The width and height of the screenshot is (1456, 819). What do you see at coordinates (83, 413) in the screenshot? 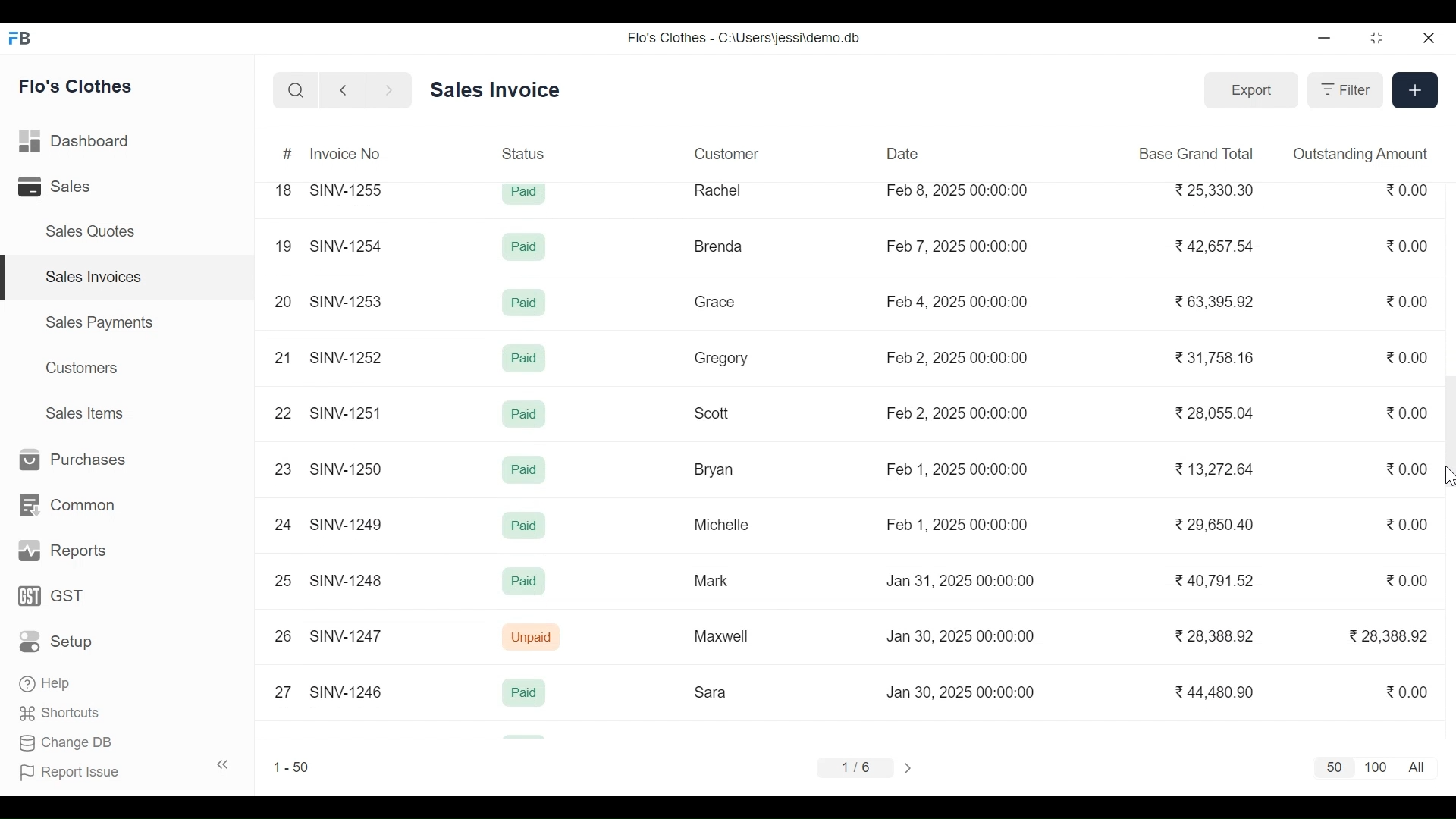
I see `Sales Items` at bounding box center [83, 413].